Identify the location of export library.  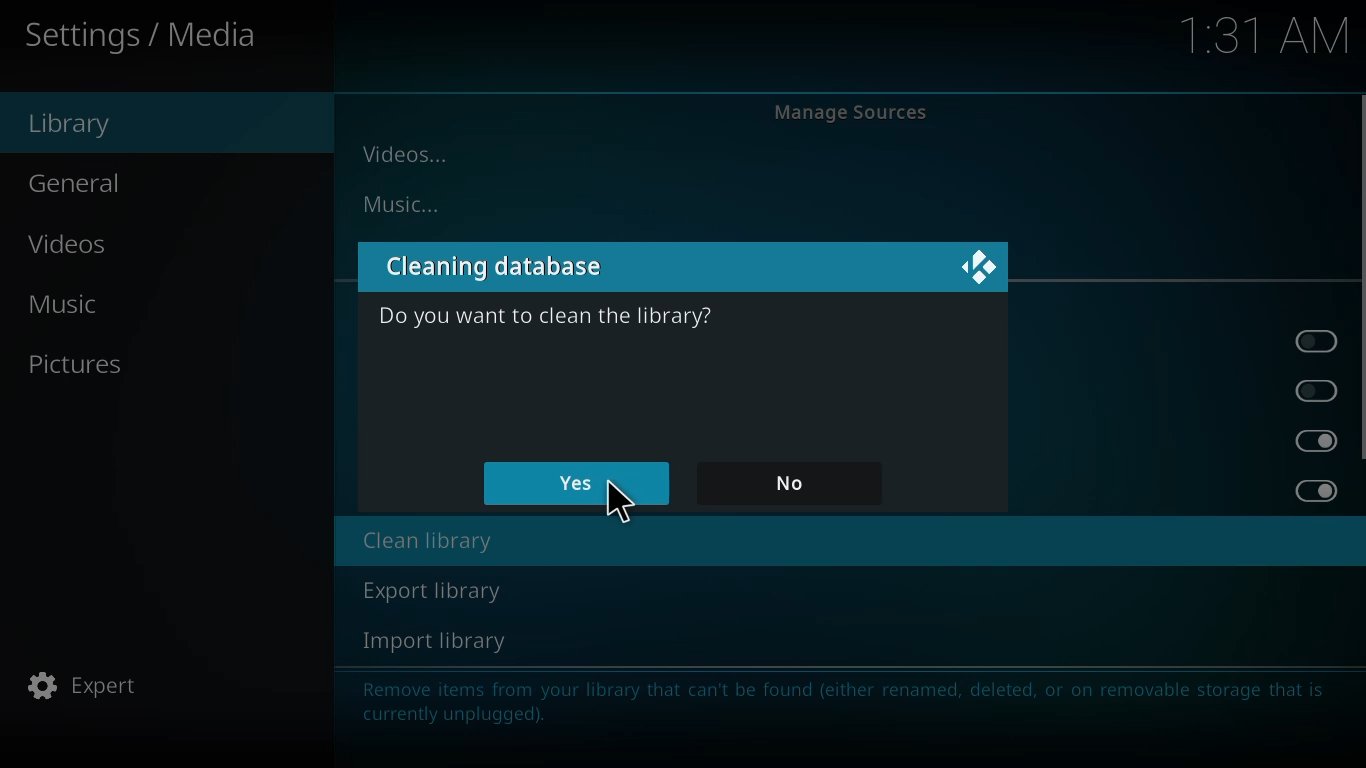
(430, 591).